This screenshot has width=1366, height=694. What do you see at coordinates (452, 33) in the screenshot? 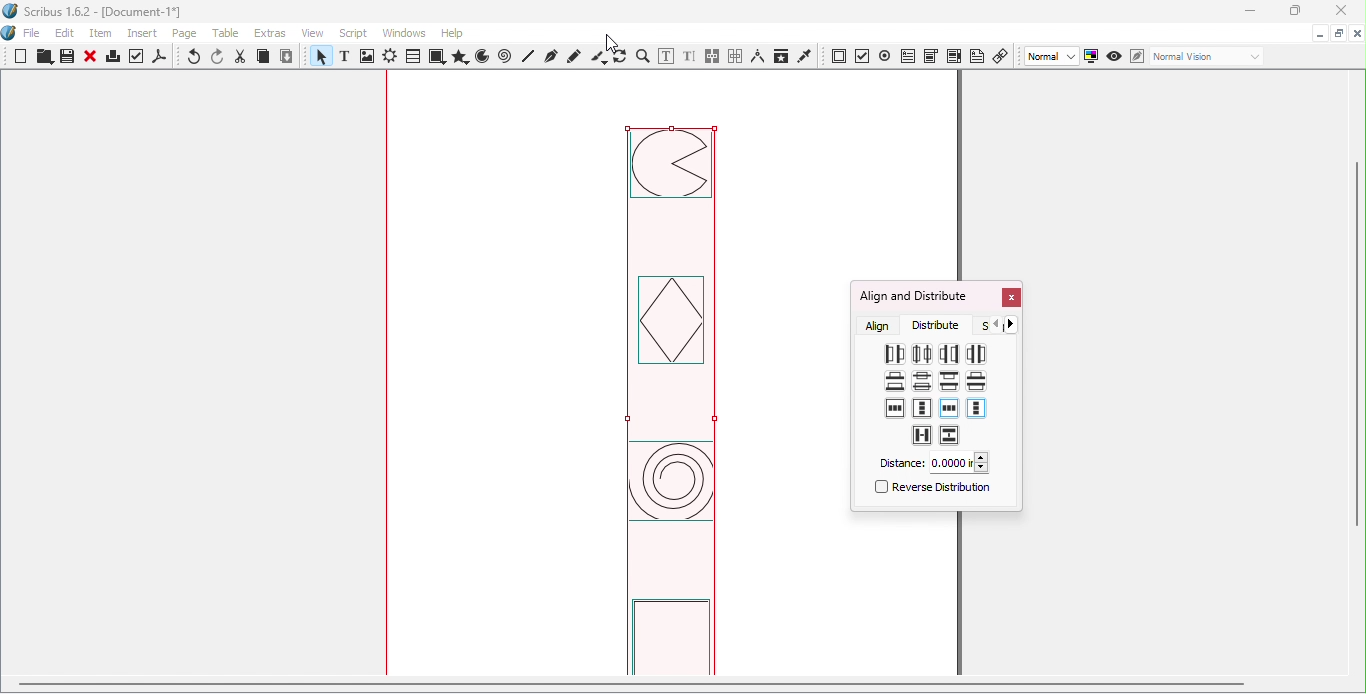
I see `Help` at bounding box center [452, 33].